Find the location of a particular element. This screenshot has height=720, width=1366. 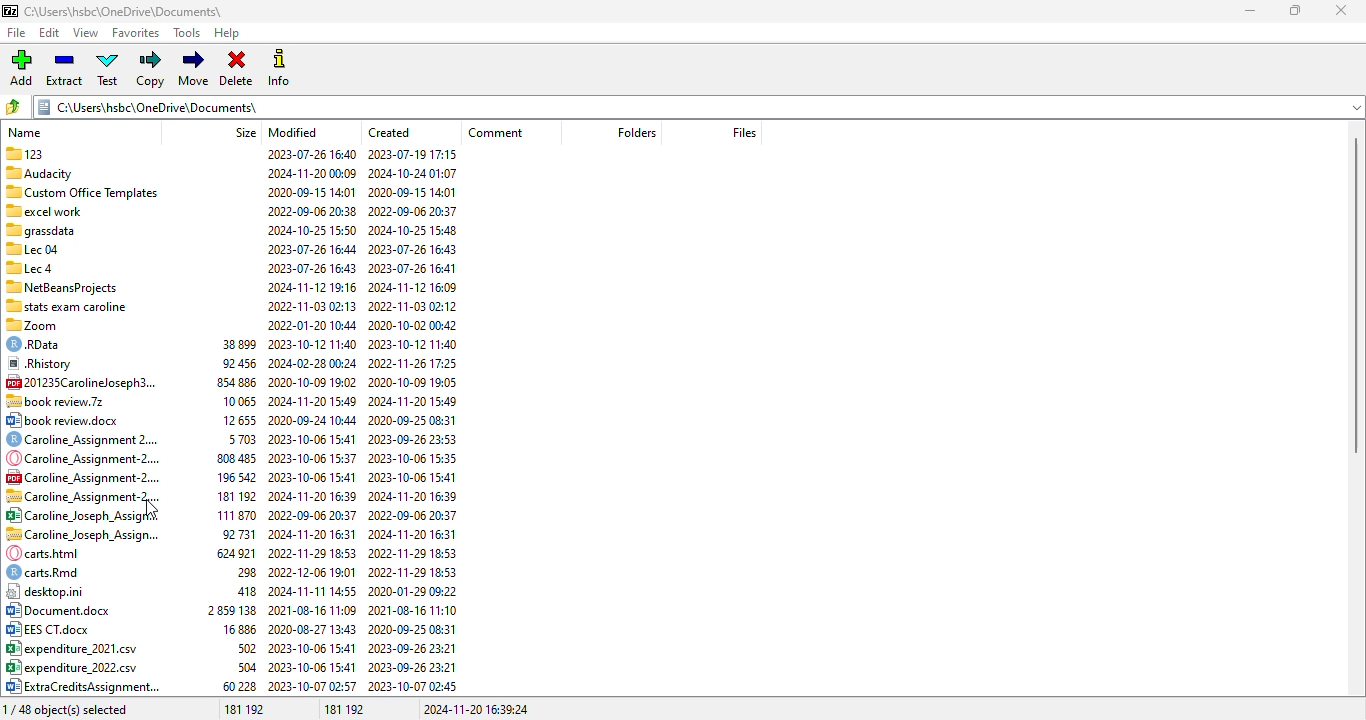

| ®lleca 2023-07-26 16:43 2023-07-26 16:41 is located at coordinates (229, 267).